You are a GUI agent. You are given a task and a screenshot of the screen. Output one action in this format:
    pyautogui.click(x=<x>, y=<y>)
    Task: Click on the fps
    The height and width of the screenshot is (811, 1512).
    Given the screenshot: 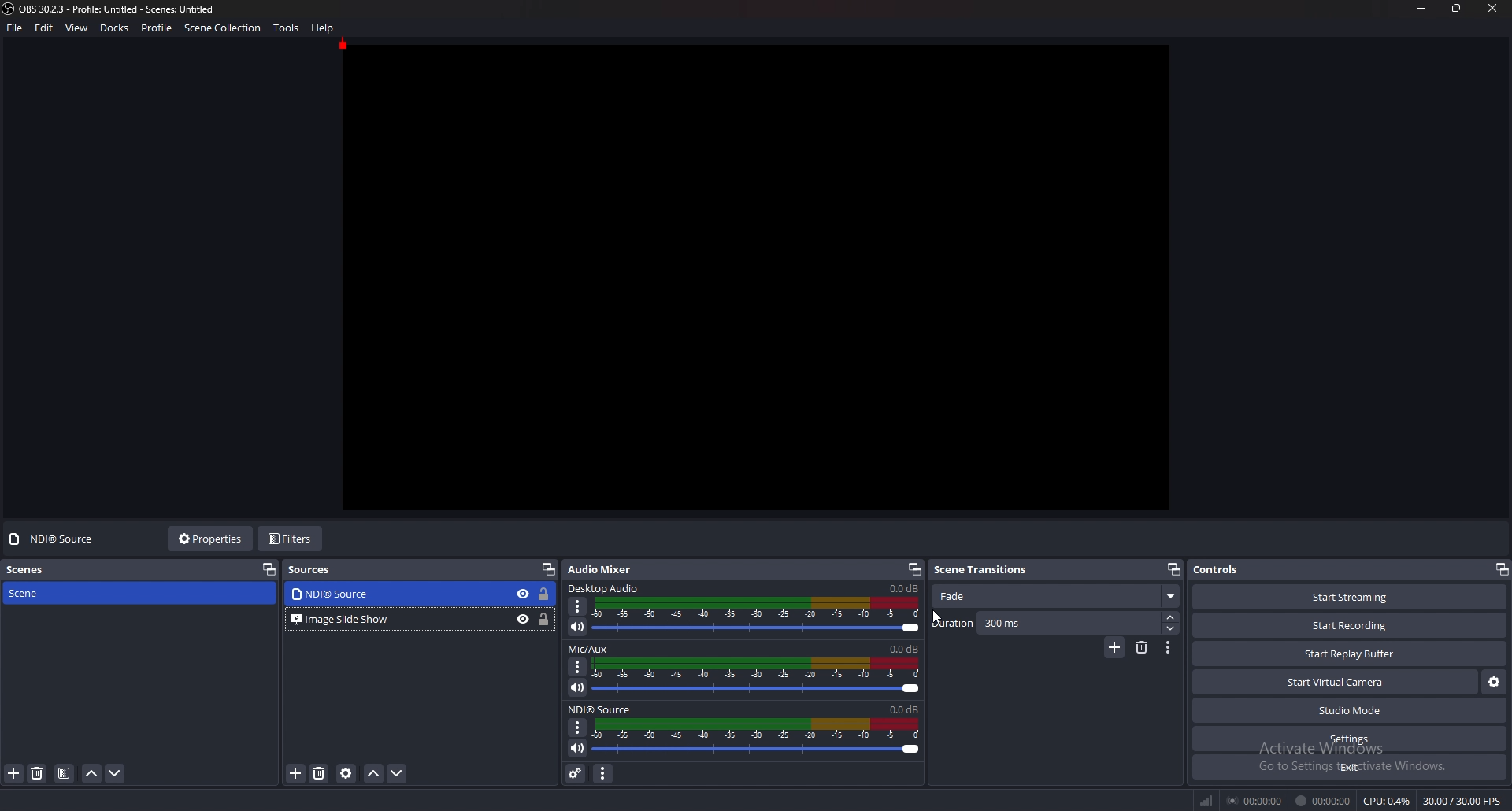 What is the action you would take?
    pyautogui.click(x=1460, y=798)
    